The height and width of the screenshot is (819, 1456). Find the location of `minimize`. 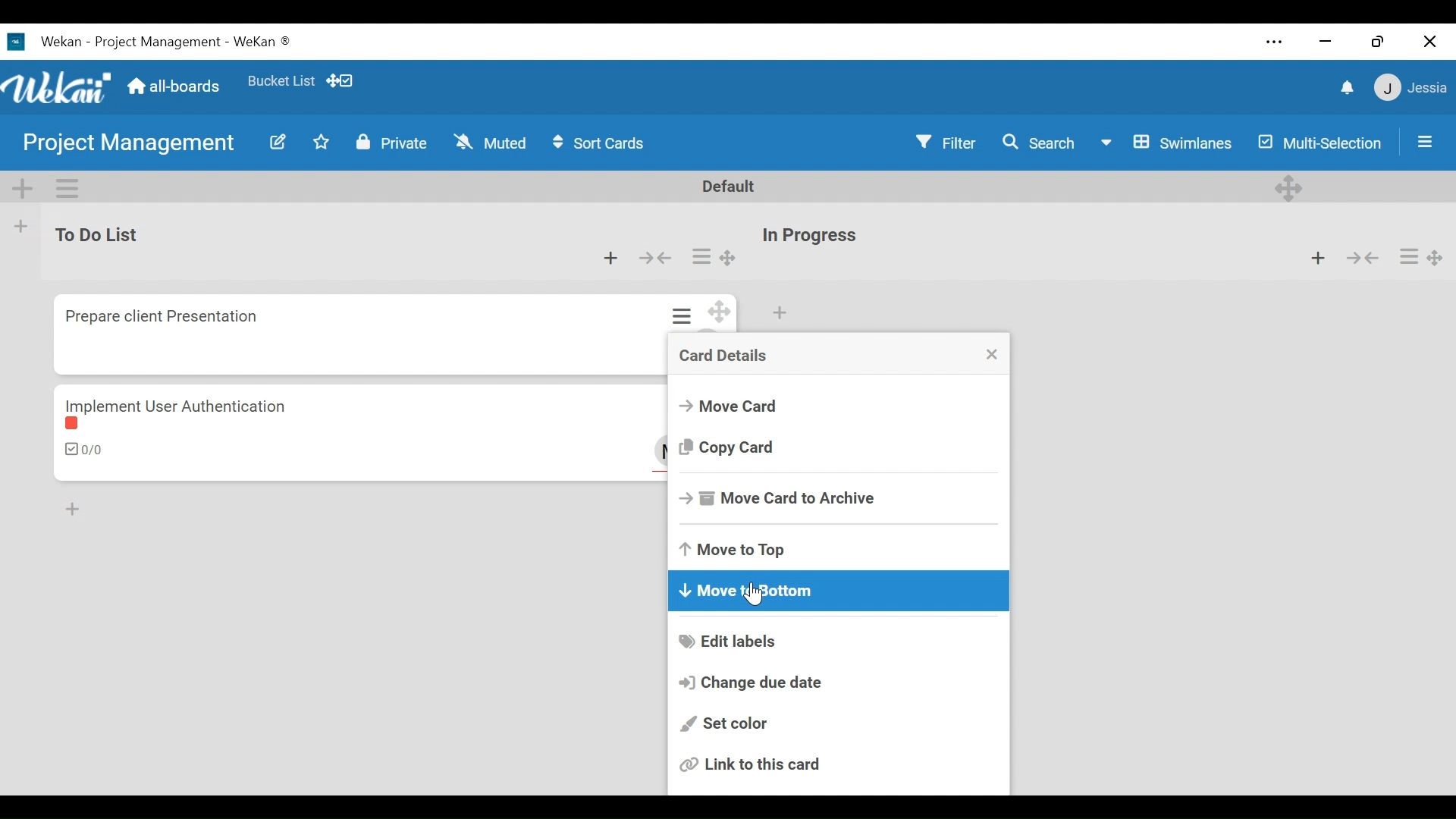

minimize is located at coordinates (1325, 42).